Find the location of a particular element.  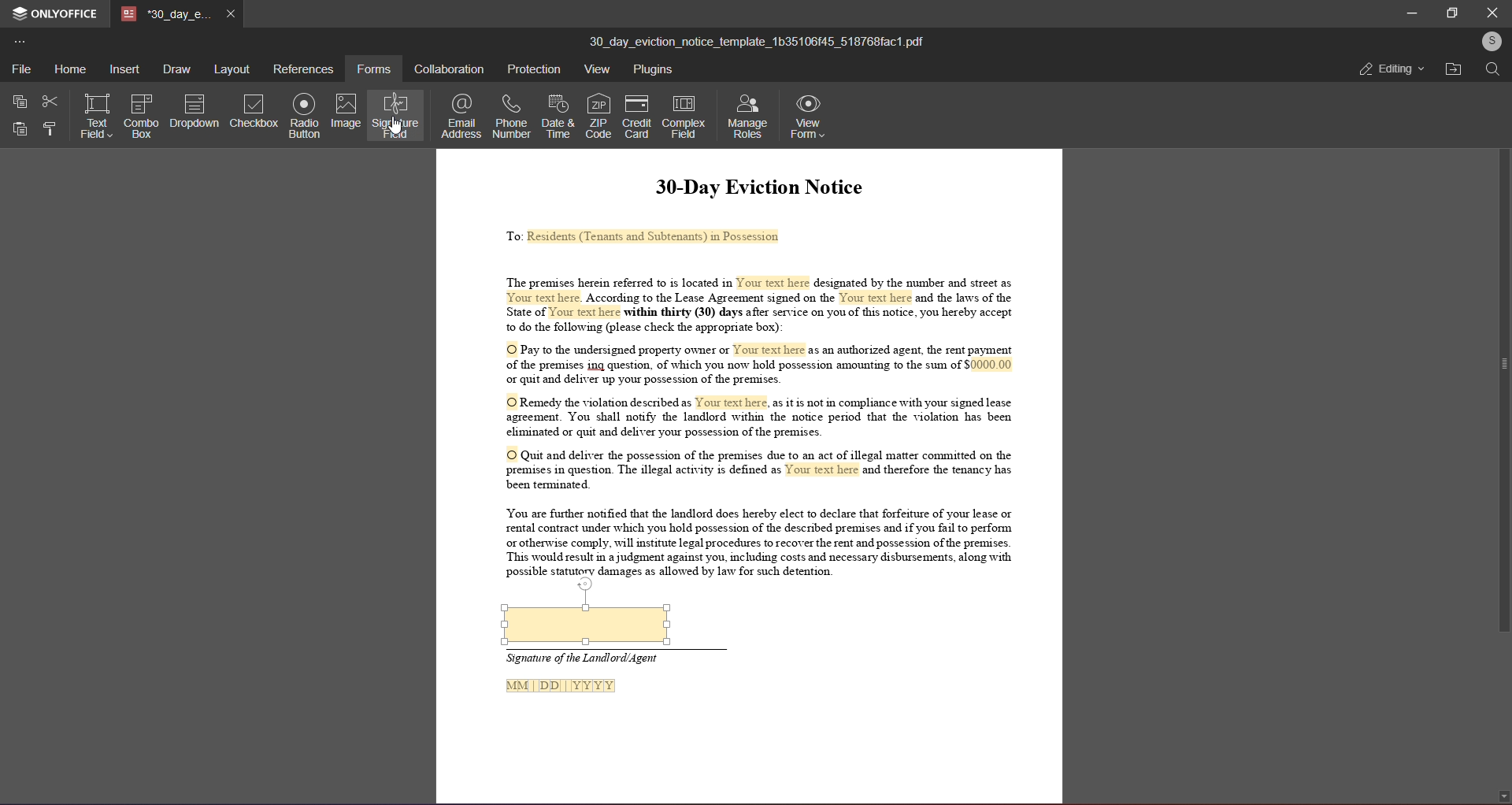

phone is located at coordinates (510, 115).